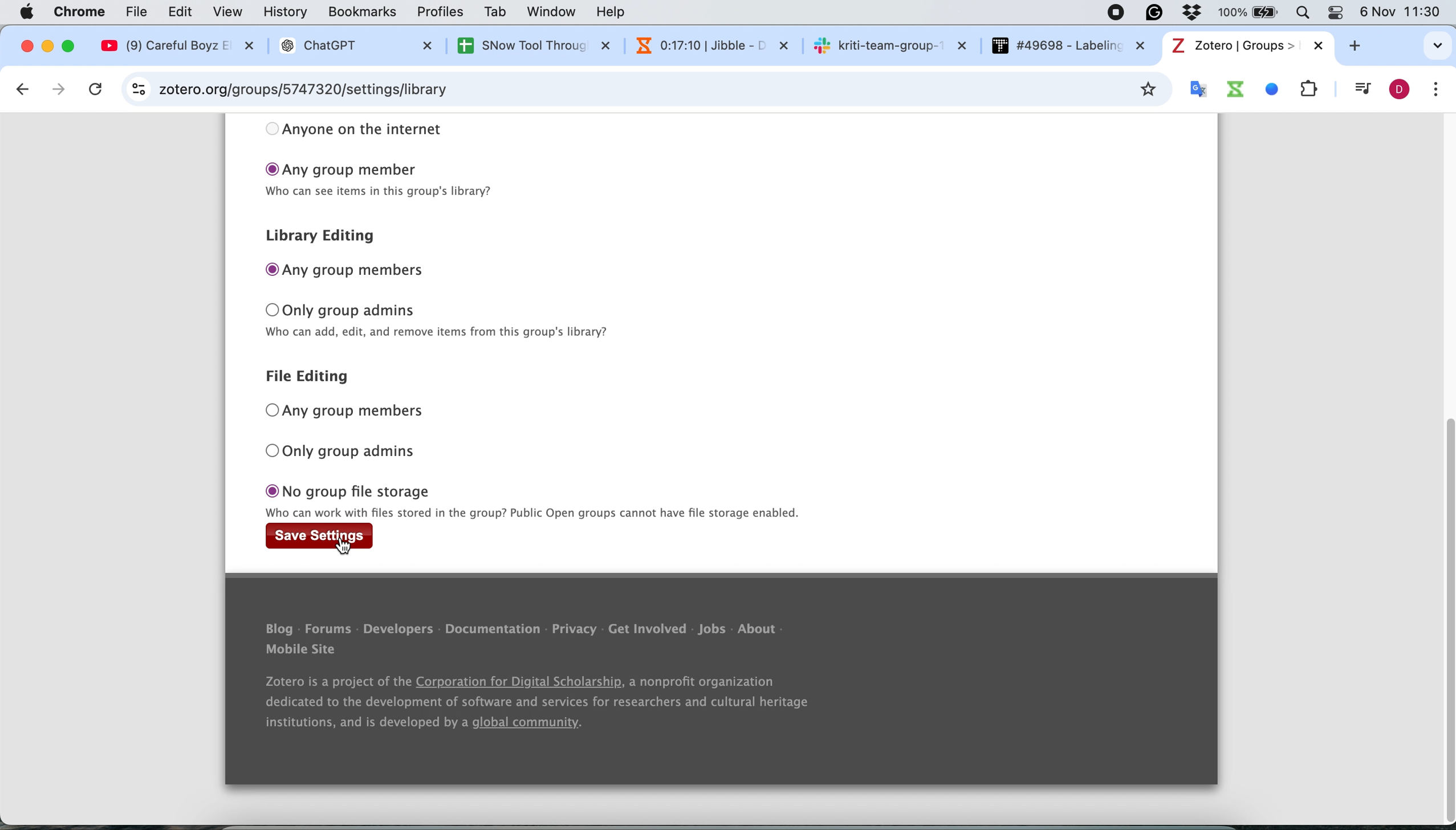 The width and height of the screenshot is (1456, 830). I want to click on Search Bar, so click(1300, 11).